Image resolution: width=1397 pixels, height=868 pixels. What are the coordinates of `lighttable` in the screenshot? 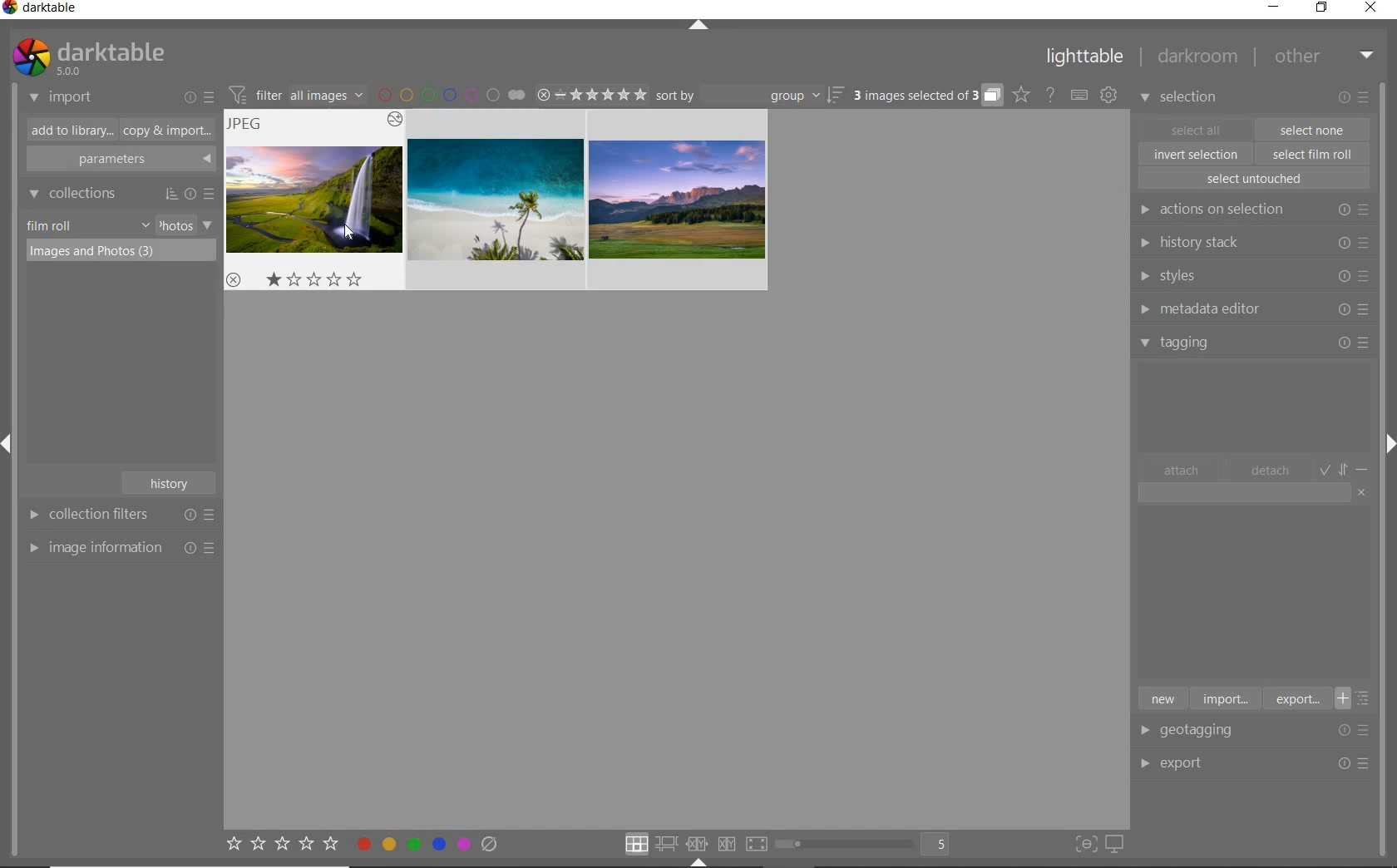 It's located at (1085, 60).